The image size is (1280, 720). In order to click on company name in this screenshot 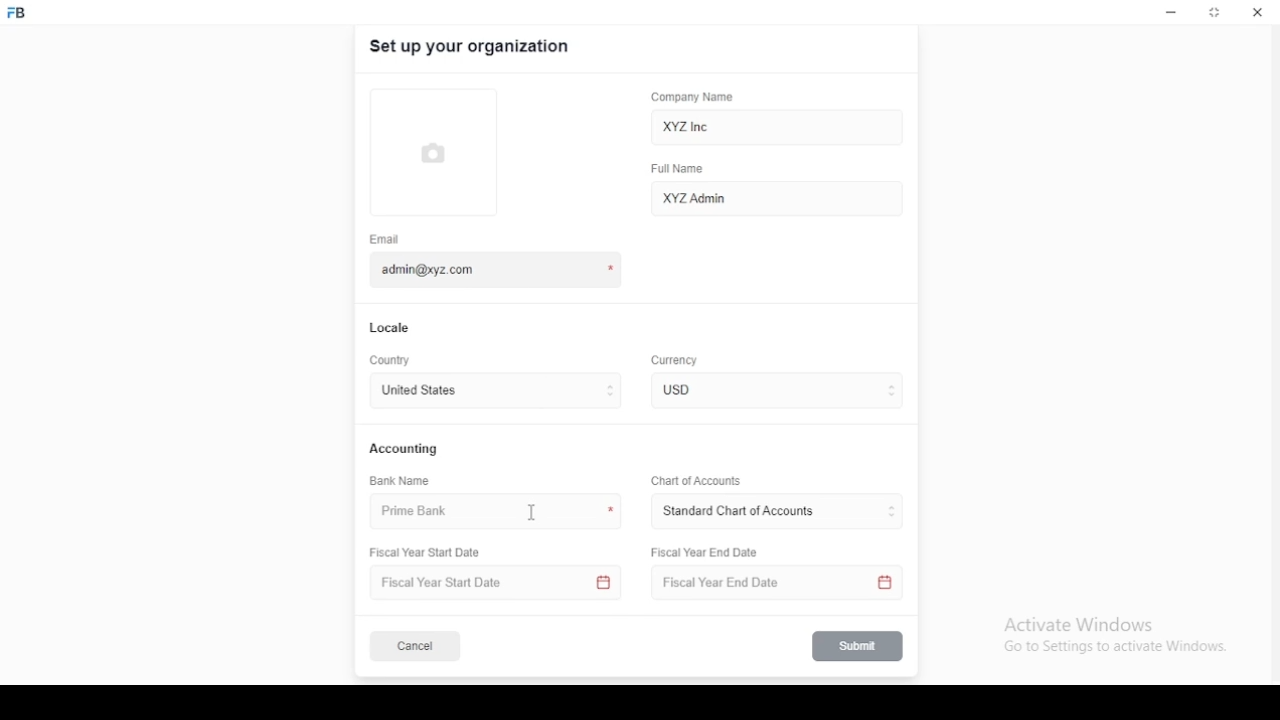, I will do `click(692, 97)`.